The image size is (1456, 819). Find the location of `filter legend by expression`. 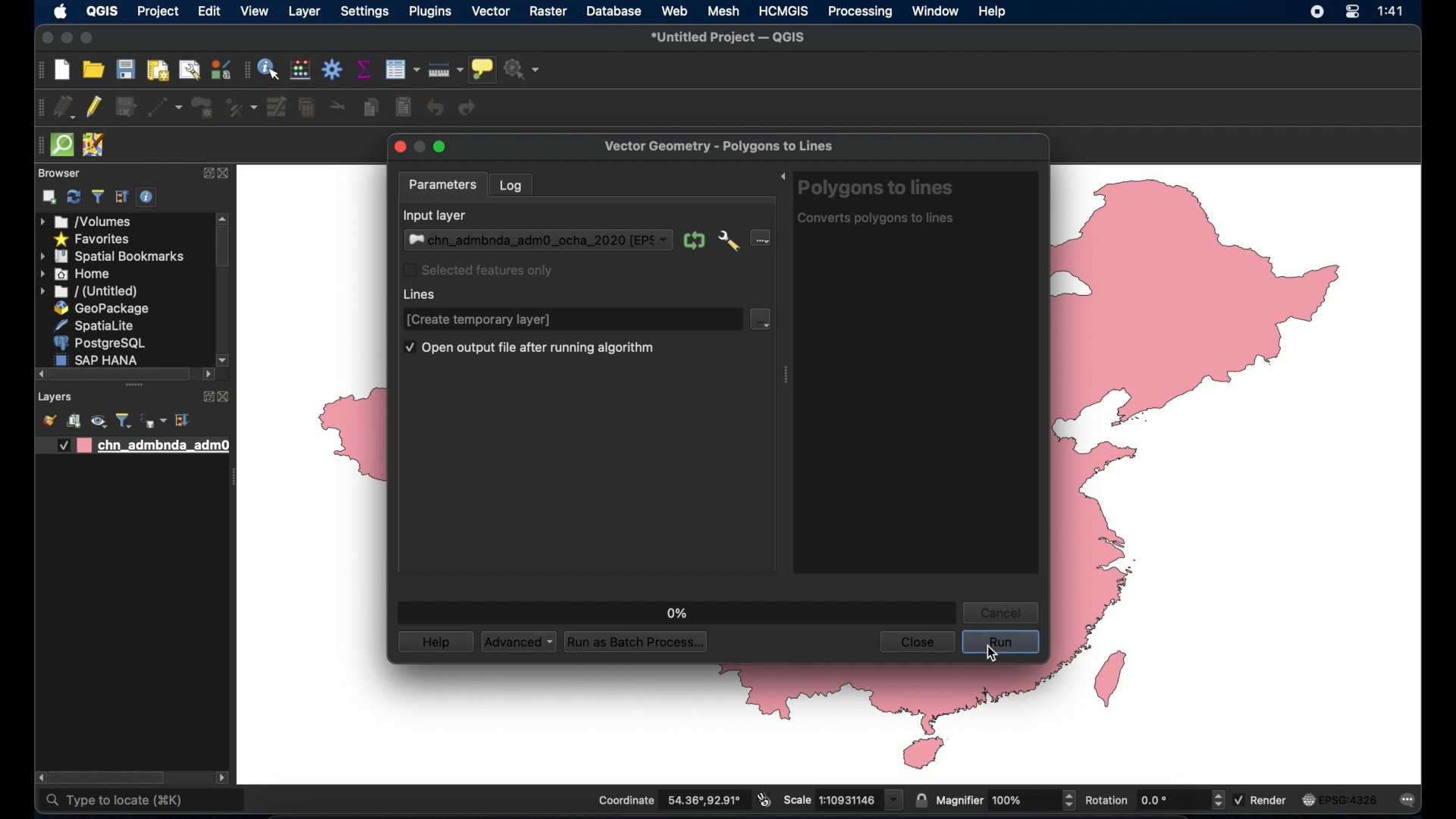

filter legend by expression is located at coordinates (152, 421).